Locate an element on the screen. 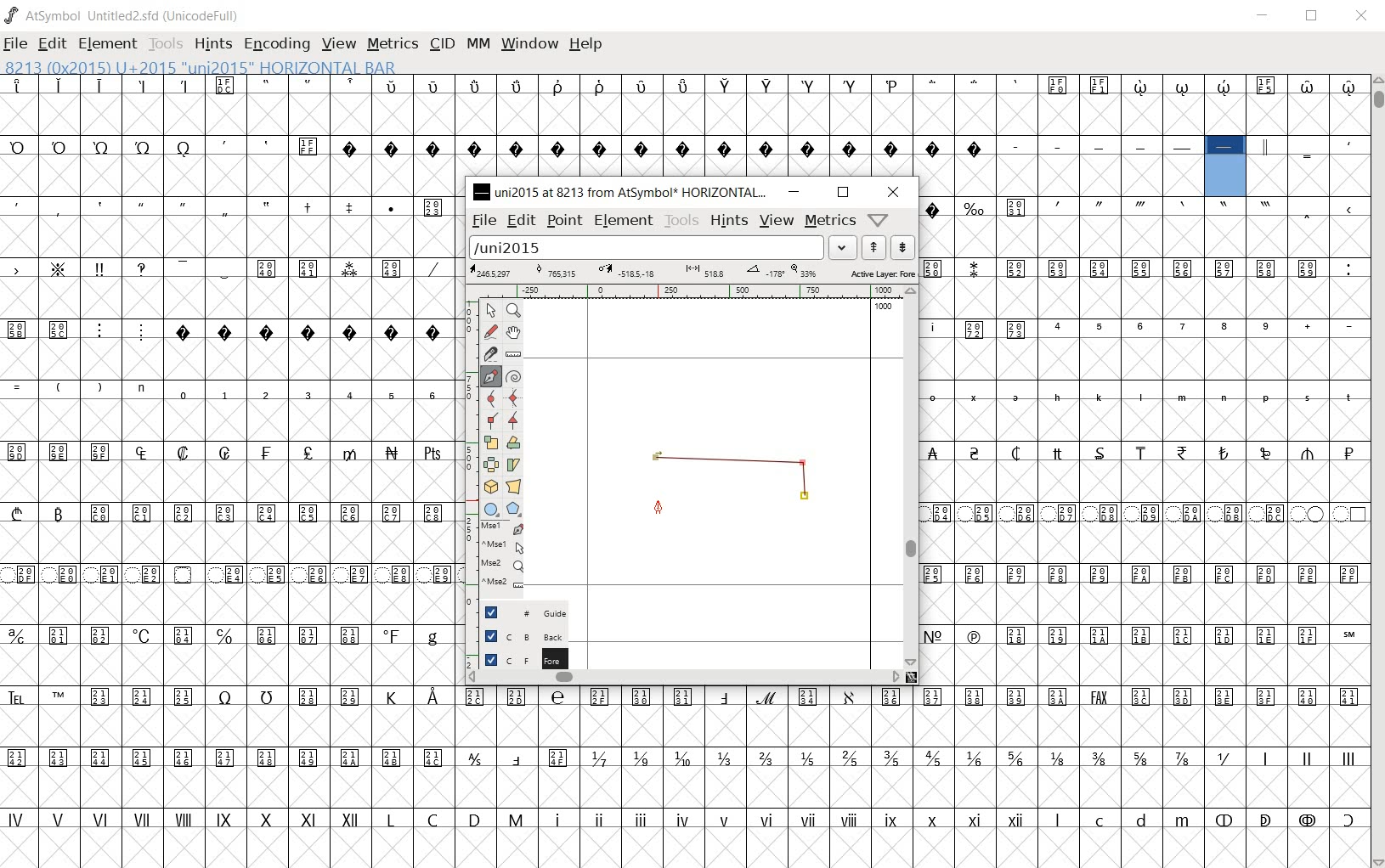 This screenshot has height=868, width=1385. added point is located at coordinates (804, 464).